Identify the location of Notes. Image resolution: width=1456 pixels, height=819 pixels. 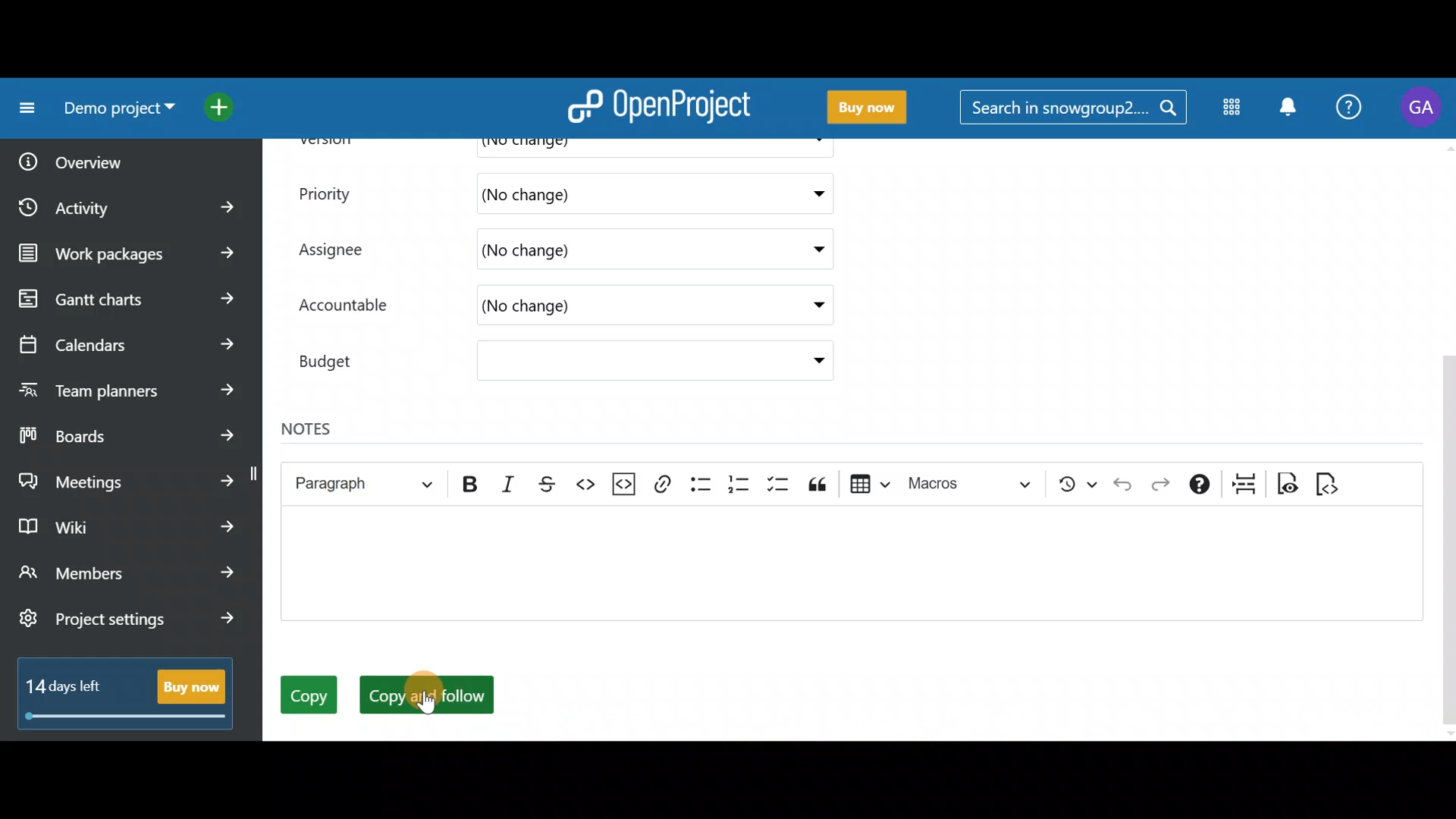
(315, 431).